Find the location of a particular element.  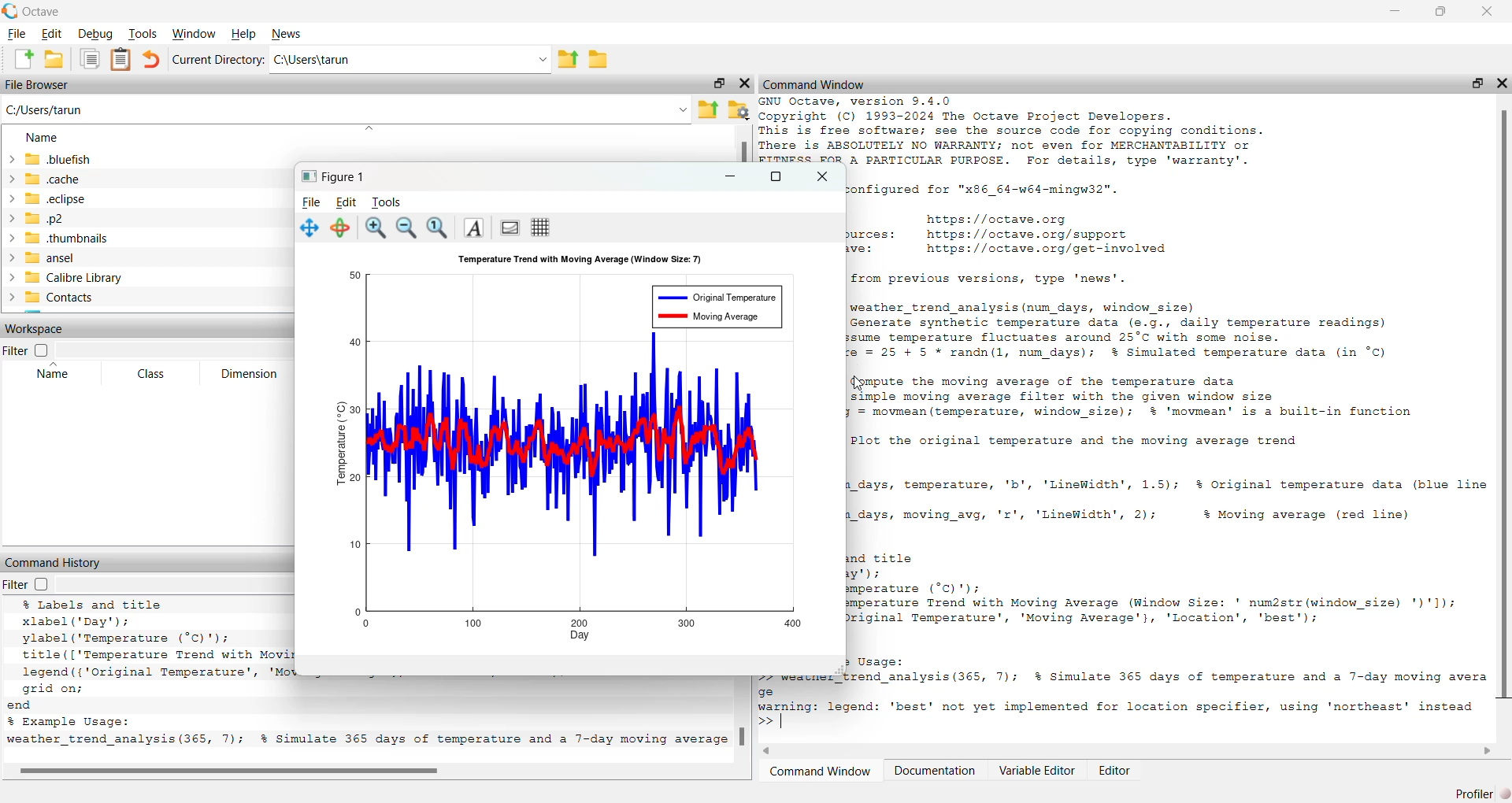

Scrollbar is located at coordinates (741, 738).